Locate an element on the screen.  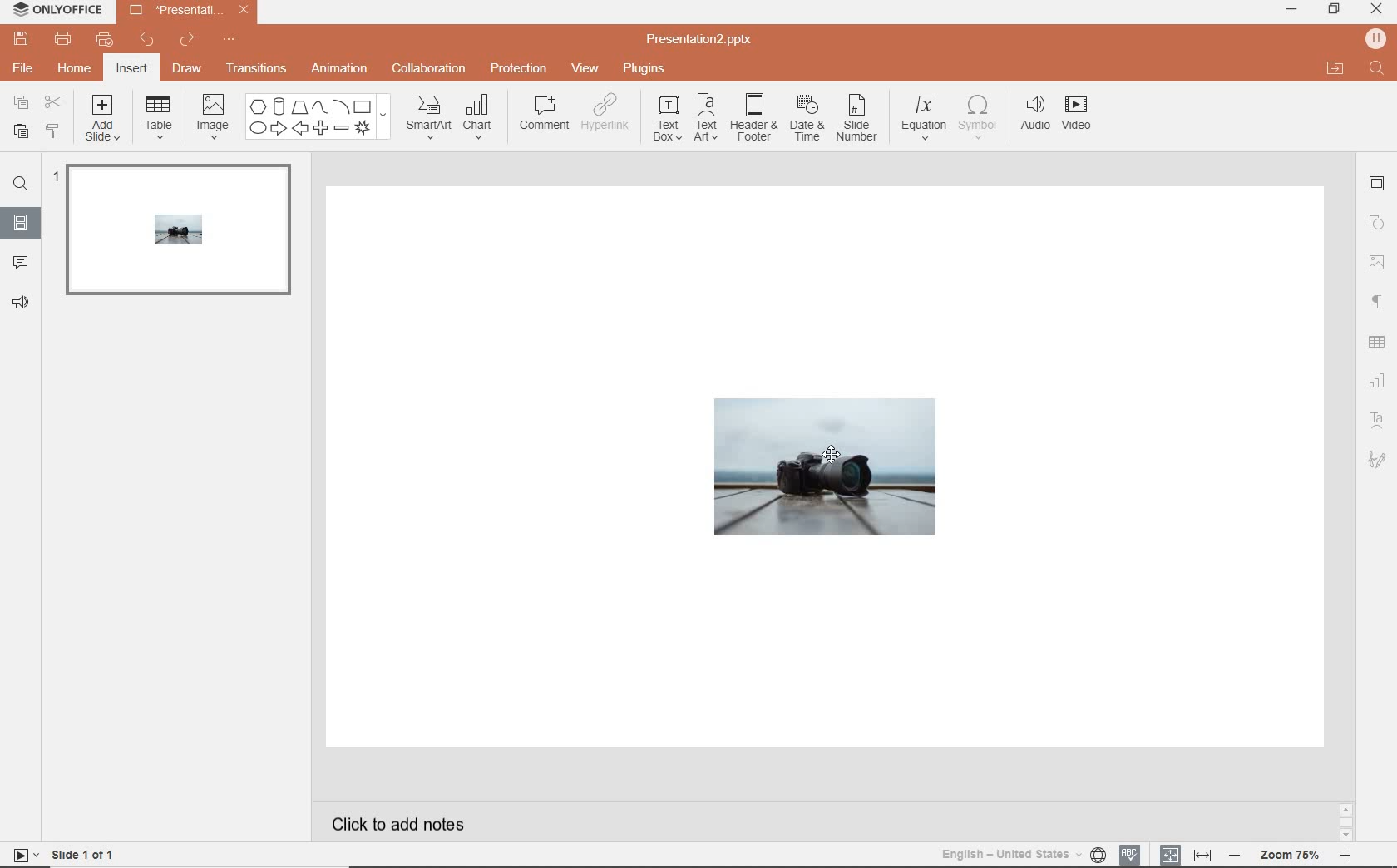
paste is located at coordinates (18, 131).